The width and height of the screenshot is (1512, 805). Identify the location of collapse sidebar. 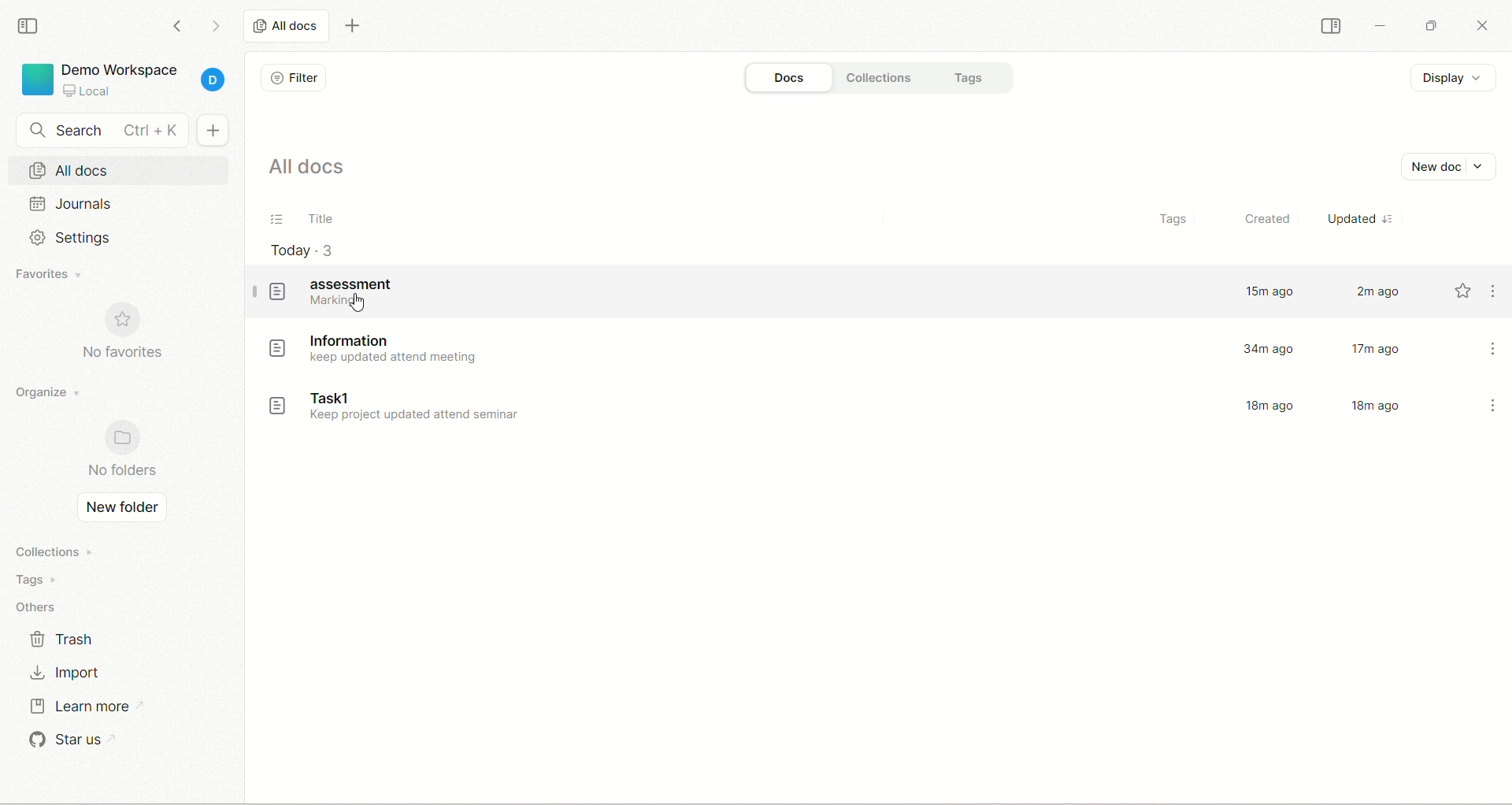
(31, 27).